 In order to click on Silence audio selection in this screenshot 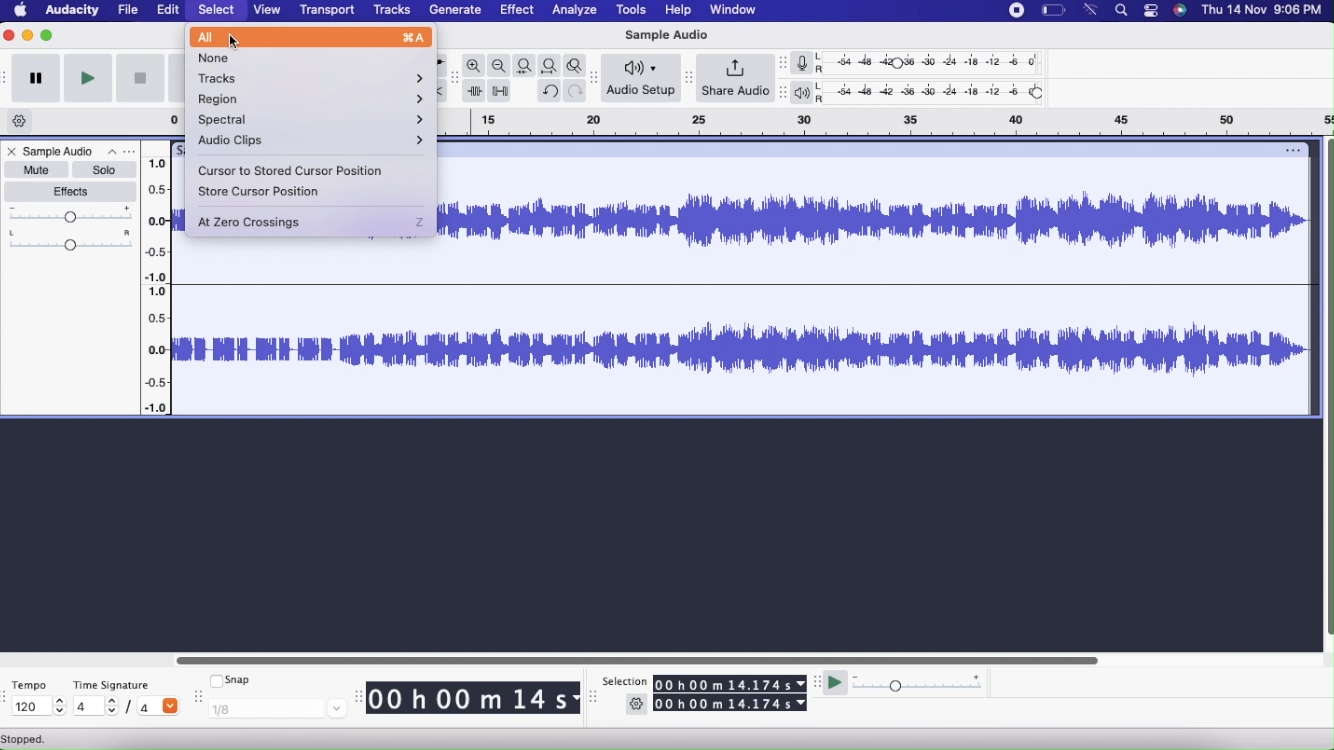, I will do `click(501, 91)`.